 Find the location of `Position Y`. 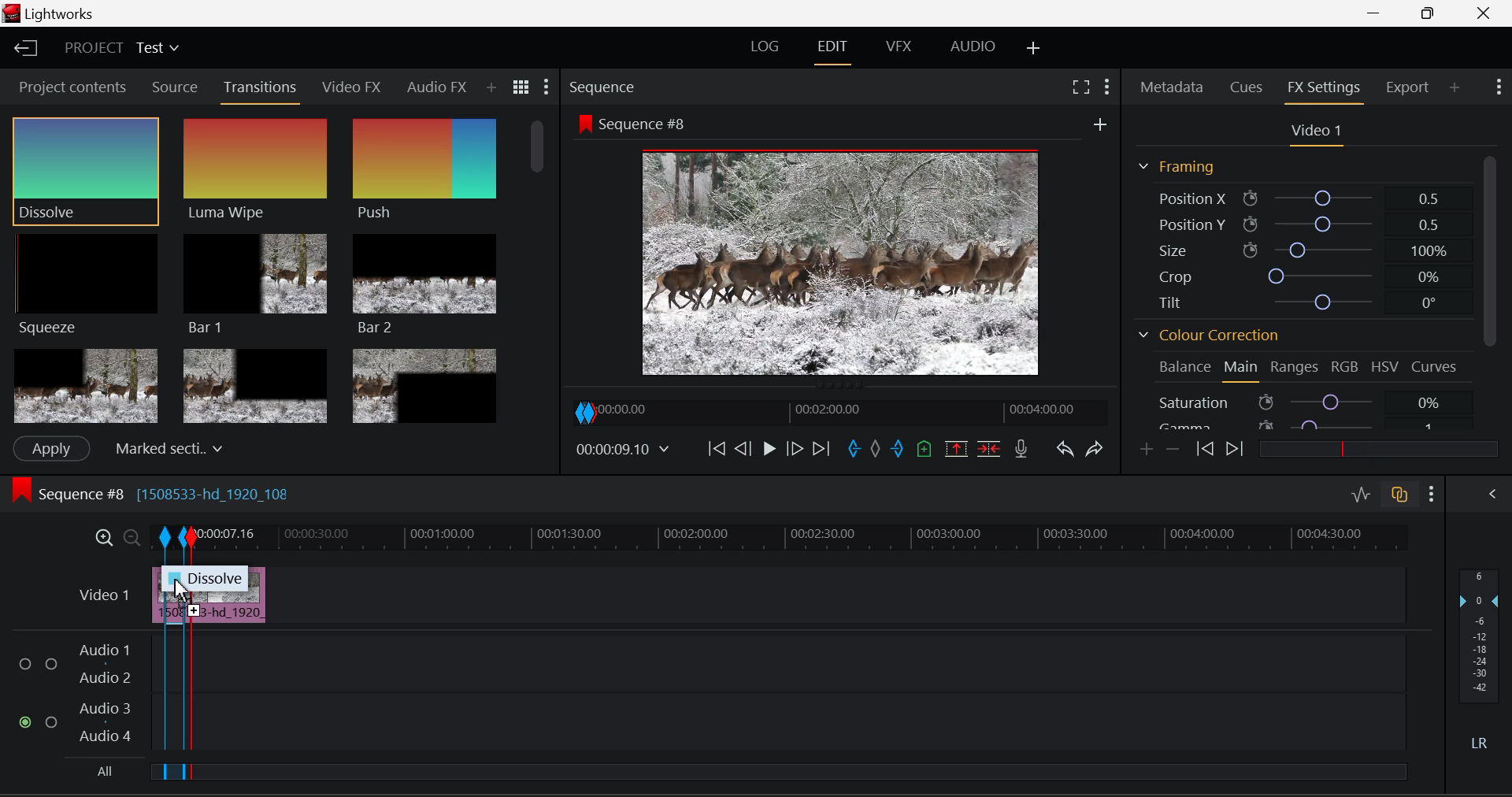

Position Y is located at coordinates (1295, 221).